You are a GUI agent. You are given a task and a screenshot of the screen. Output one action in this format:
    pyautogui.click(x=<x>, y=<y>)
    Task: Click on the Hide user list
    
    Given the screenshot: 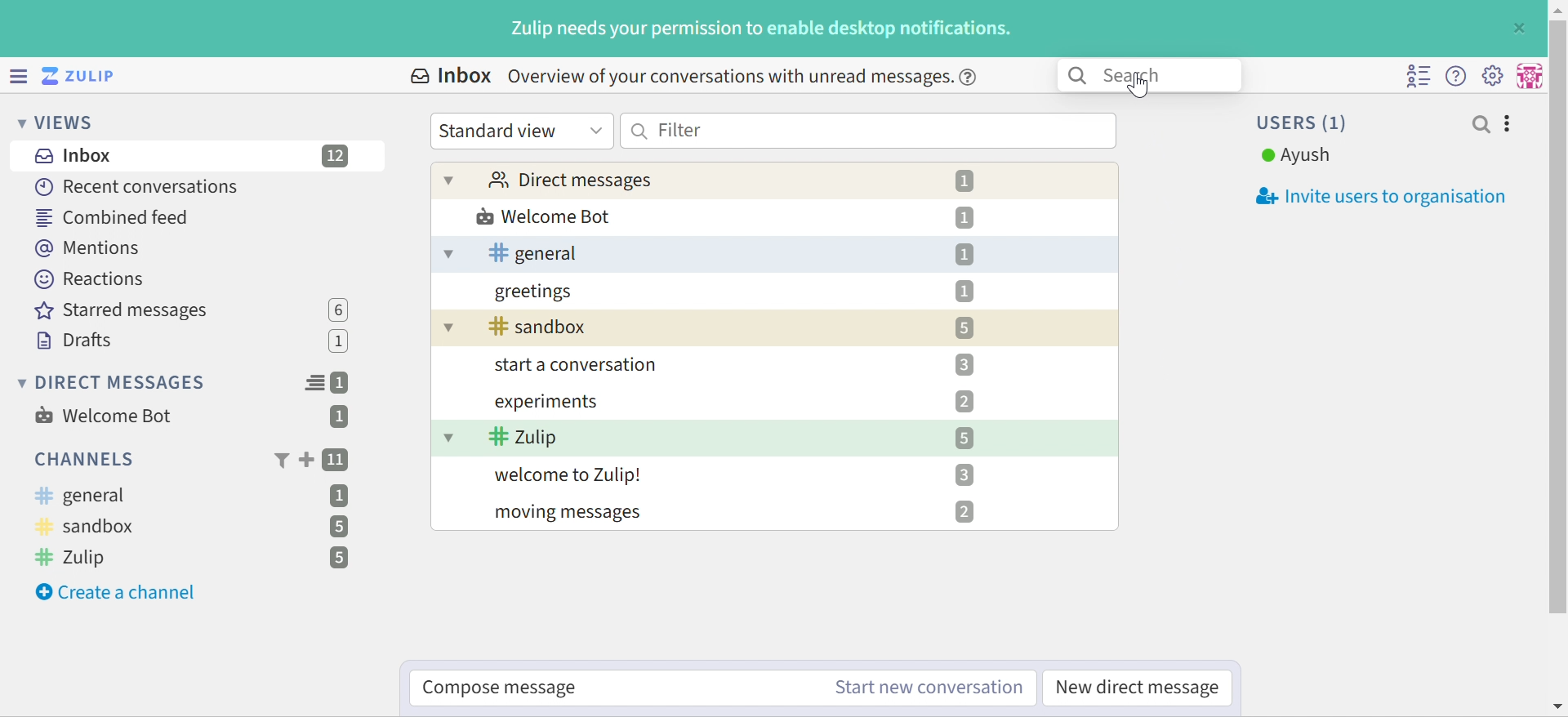 What is the action you would take?
    pyautogui.click(x=1419, y=77)
    